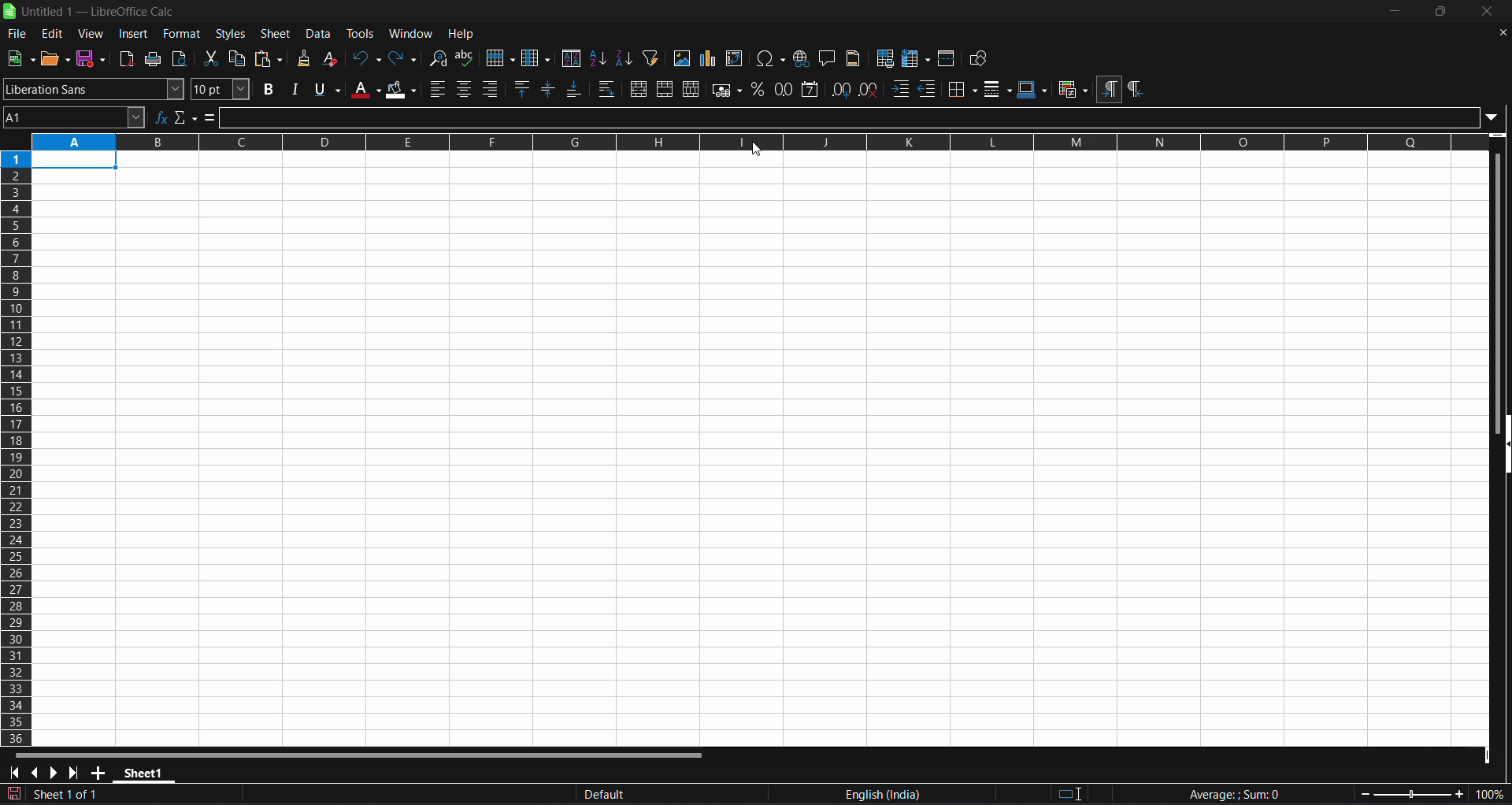 The height and width of the screenshot is (805, 1512). What do you see at coordinates (15, 14) in the screenshot?
I see `logo` at bounding box center [15, 14].